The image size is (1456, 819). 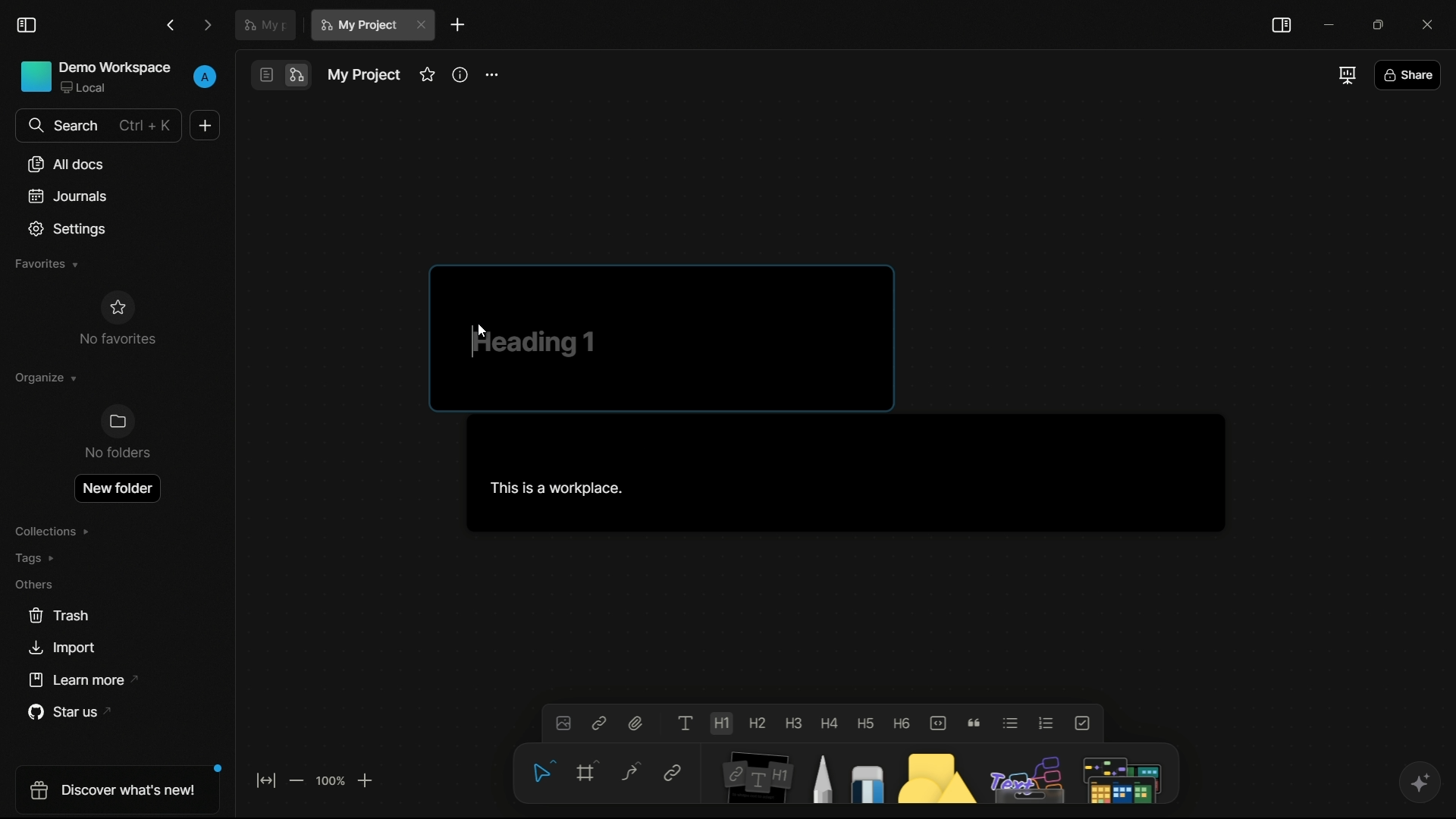 What do you see at coordinates (1122, 774) in the screenshot?
I see `more tools` at bounding box center [1122, 774].